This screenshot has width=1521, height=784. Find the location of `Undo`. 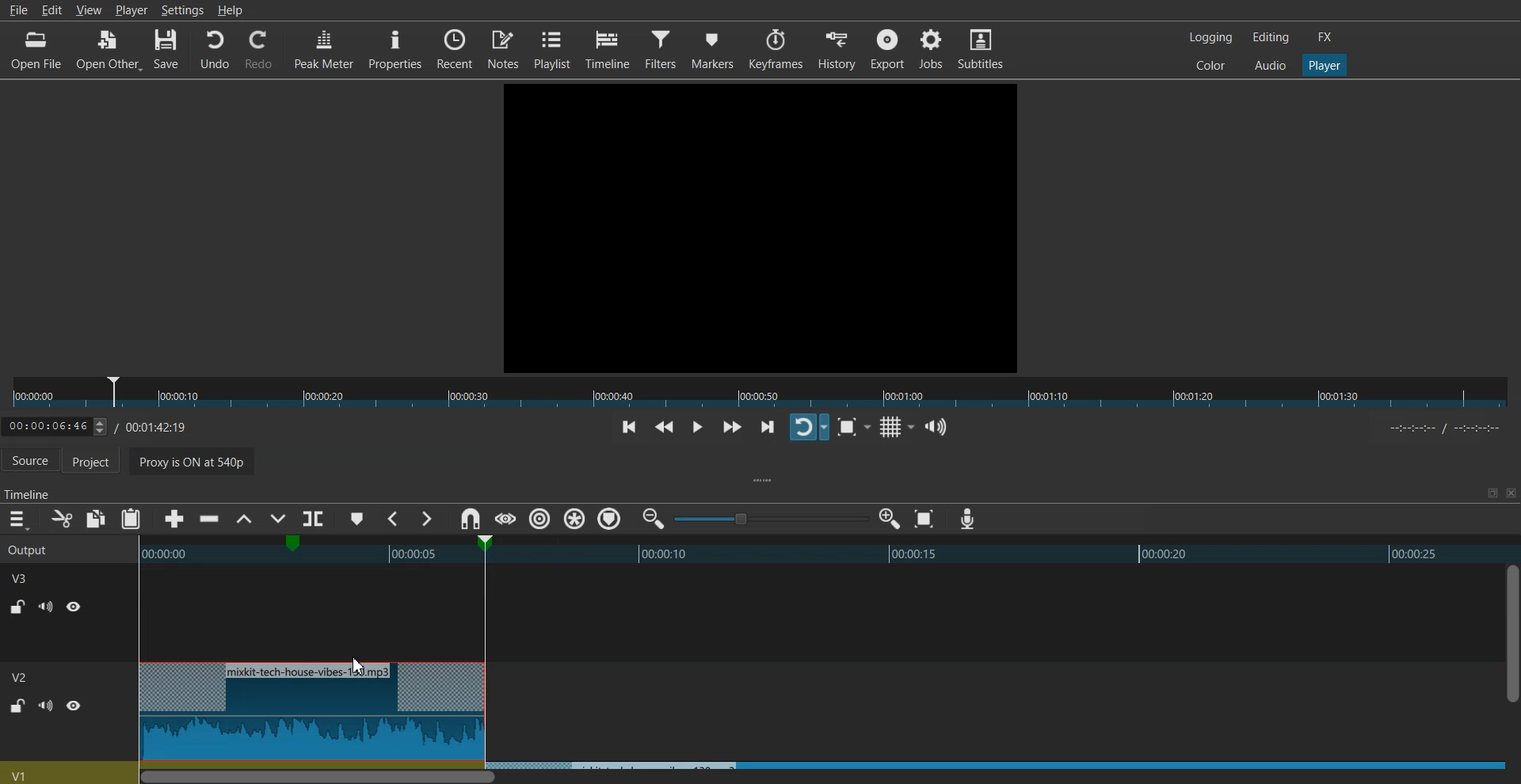

Undo is located at coordinates (215, 50).